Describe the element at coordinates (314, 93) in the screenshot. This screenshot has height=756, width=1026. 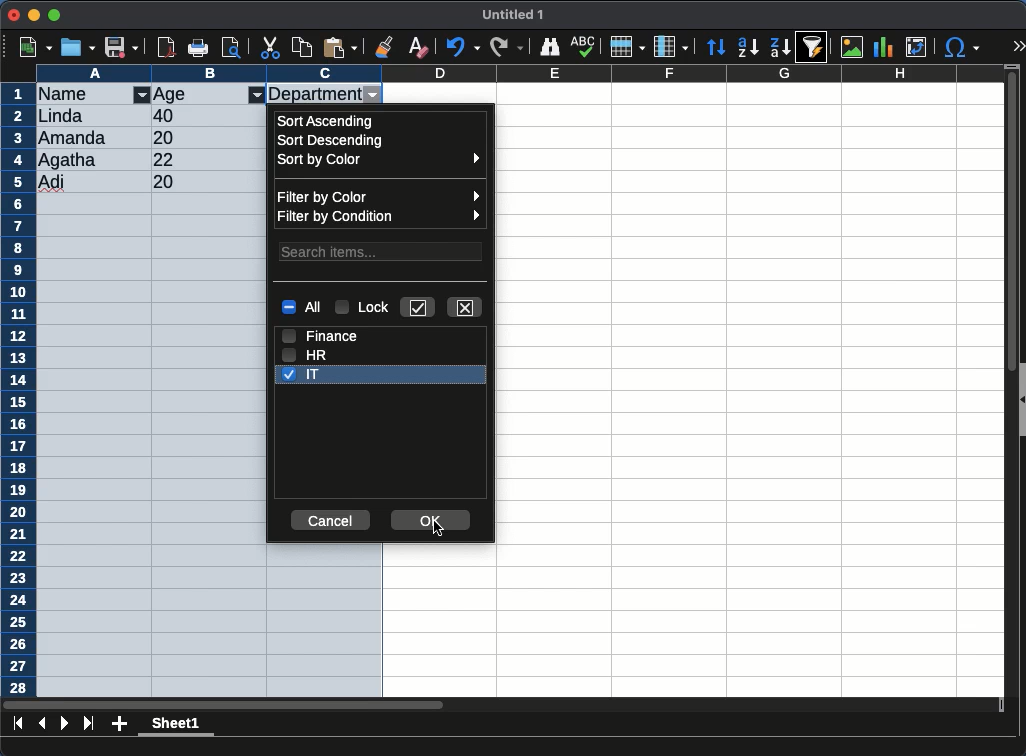
I see `department ` at that location.